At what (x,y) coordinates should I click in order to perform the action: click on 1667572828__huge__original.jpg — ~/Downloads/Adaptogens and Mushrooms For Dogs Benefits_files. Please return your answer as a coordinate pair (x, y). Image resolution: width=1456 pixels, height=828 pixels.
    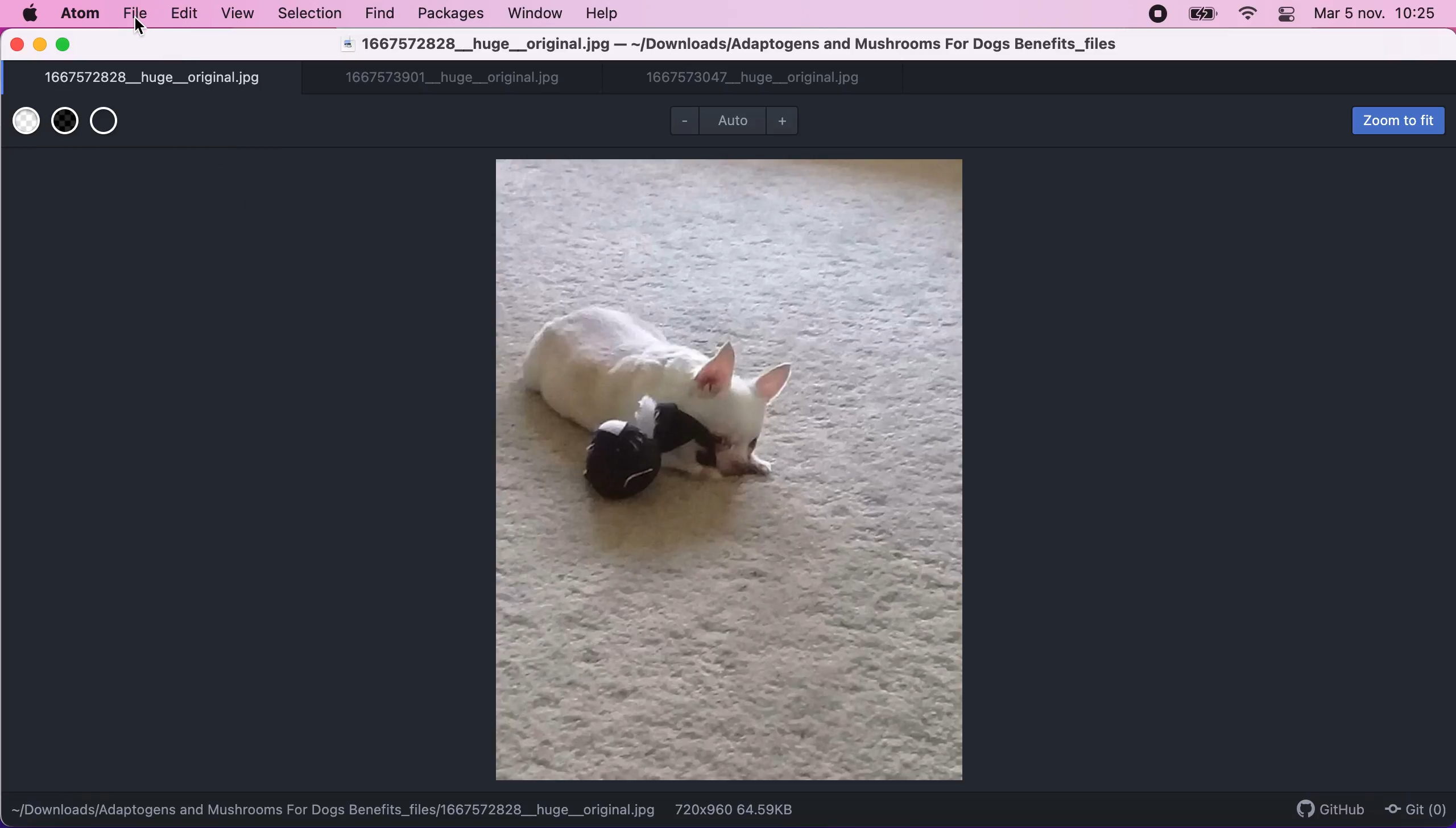
    Looking at the image, I should click on (731, 46).